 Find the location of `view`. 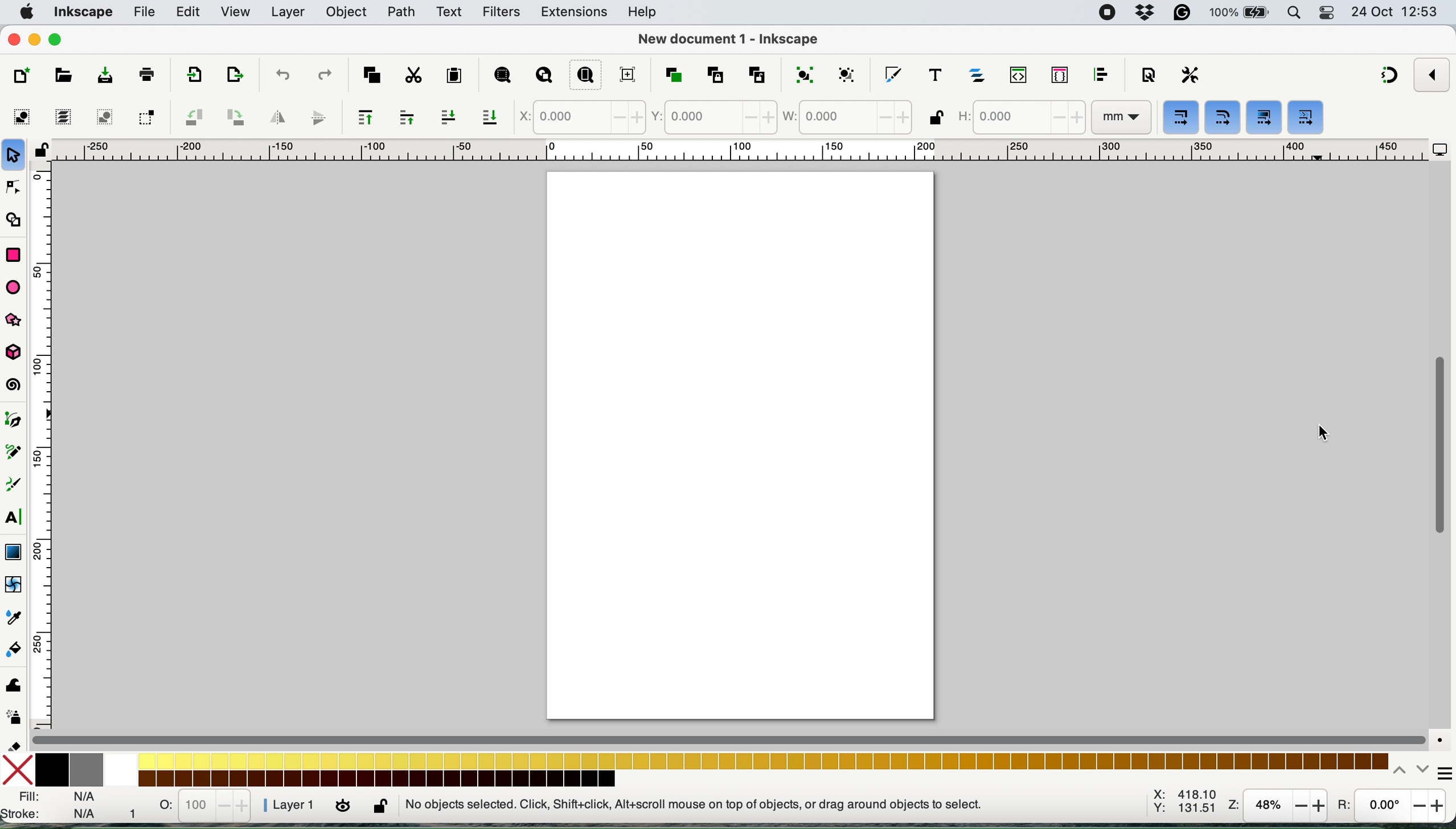

view is located at coordinates (236, 12).